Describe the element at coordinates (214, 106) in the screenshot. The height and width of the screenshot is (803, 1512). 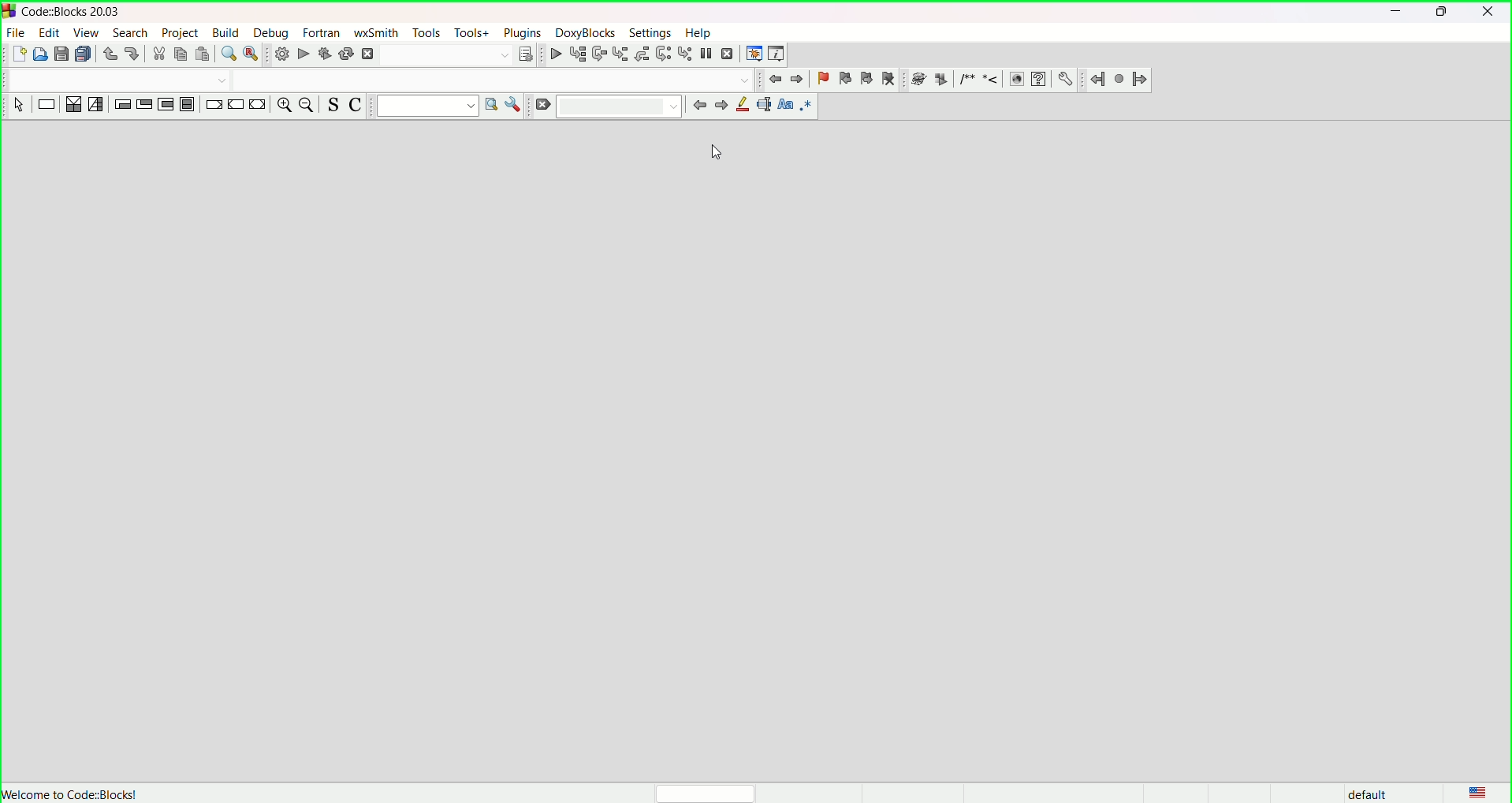
I see `break instruction` at that location.